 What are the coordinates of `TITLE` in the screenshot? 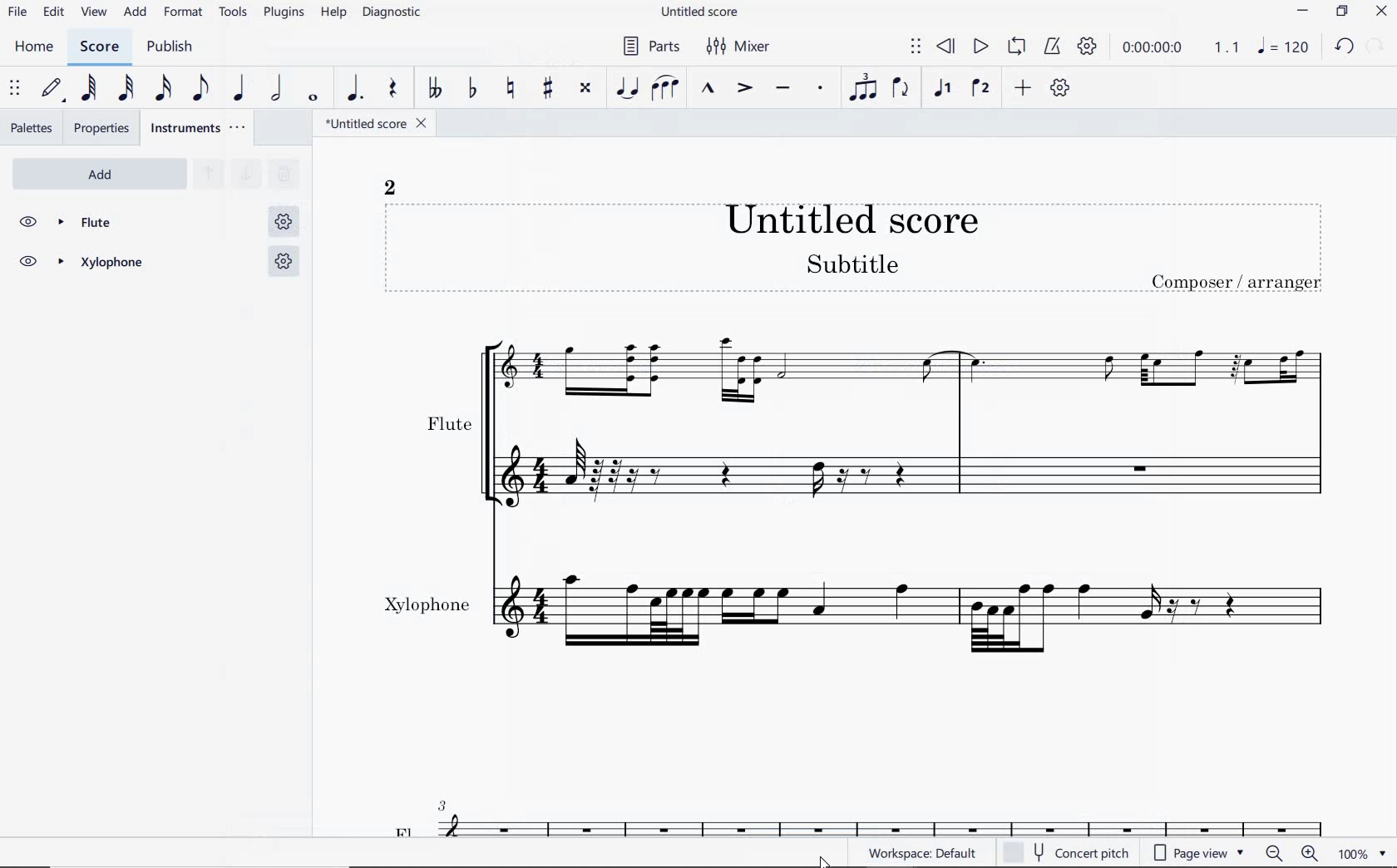 It's located at (880, 242).